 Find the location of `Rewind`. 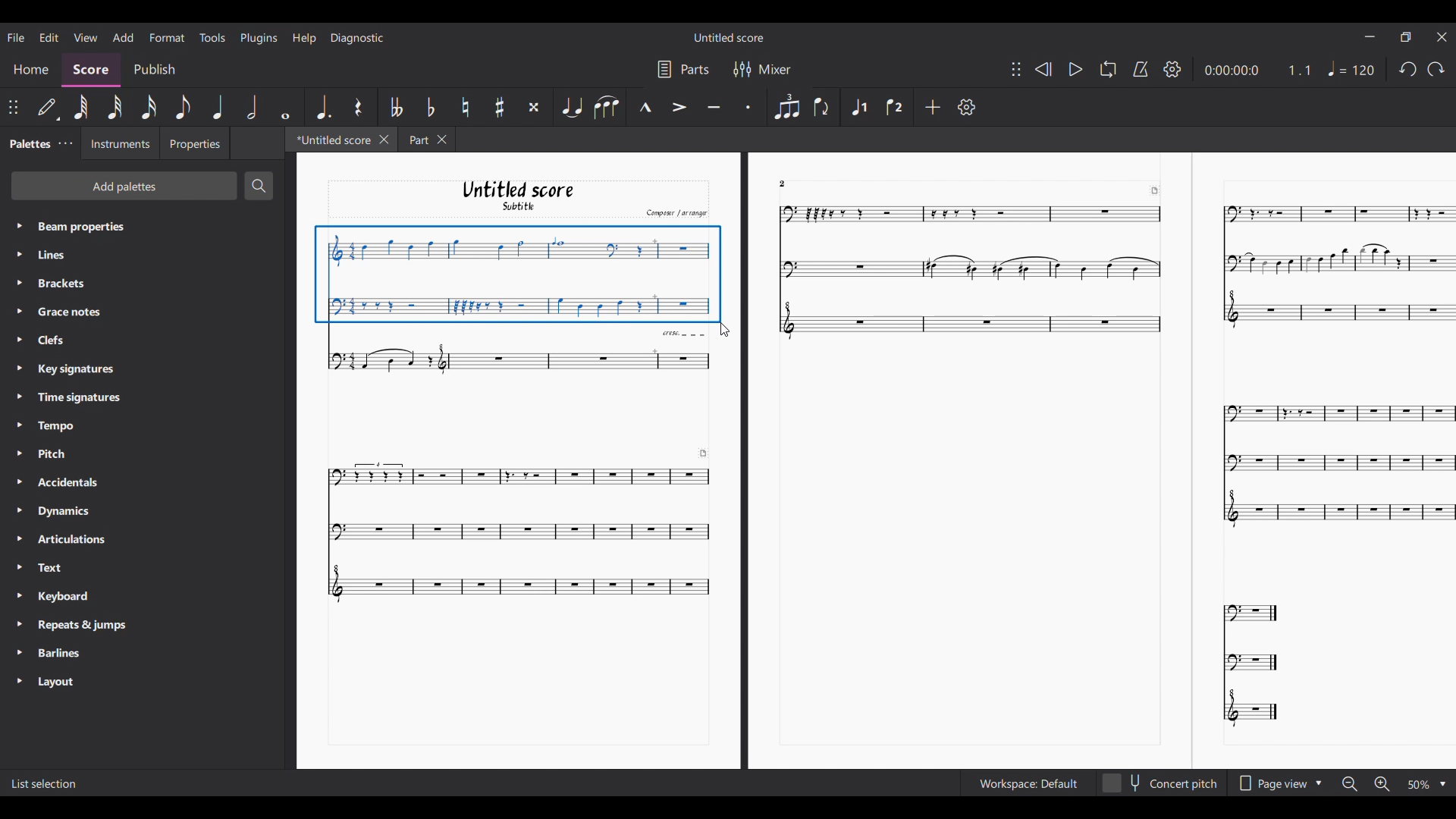

Rewind is located at coordinates (1043, 69).